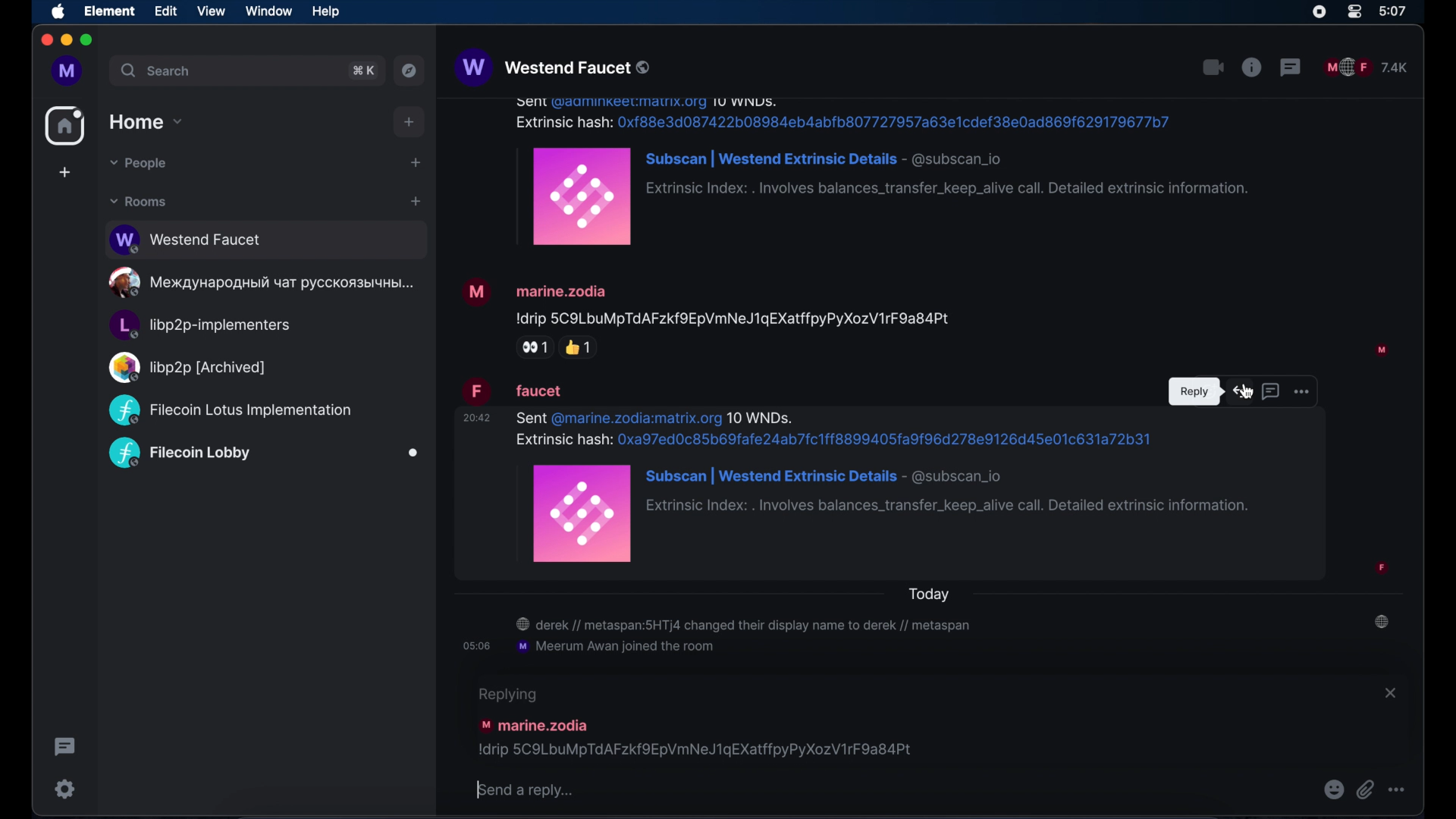 This screenshot has height=819, width=1456. I want to click on explore public rooms, so click(409, 71).